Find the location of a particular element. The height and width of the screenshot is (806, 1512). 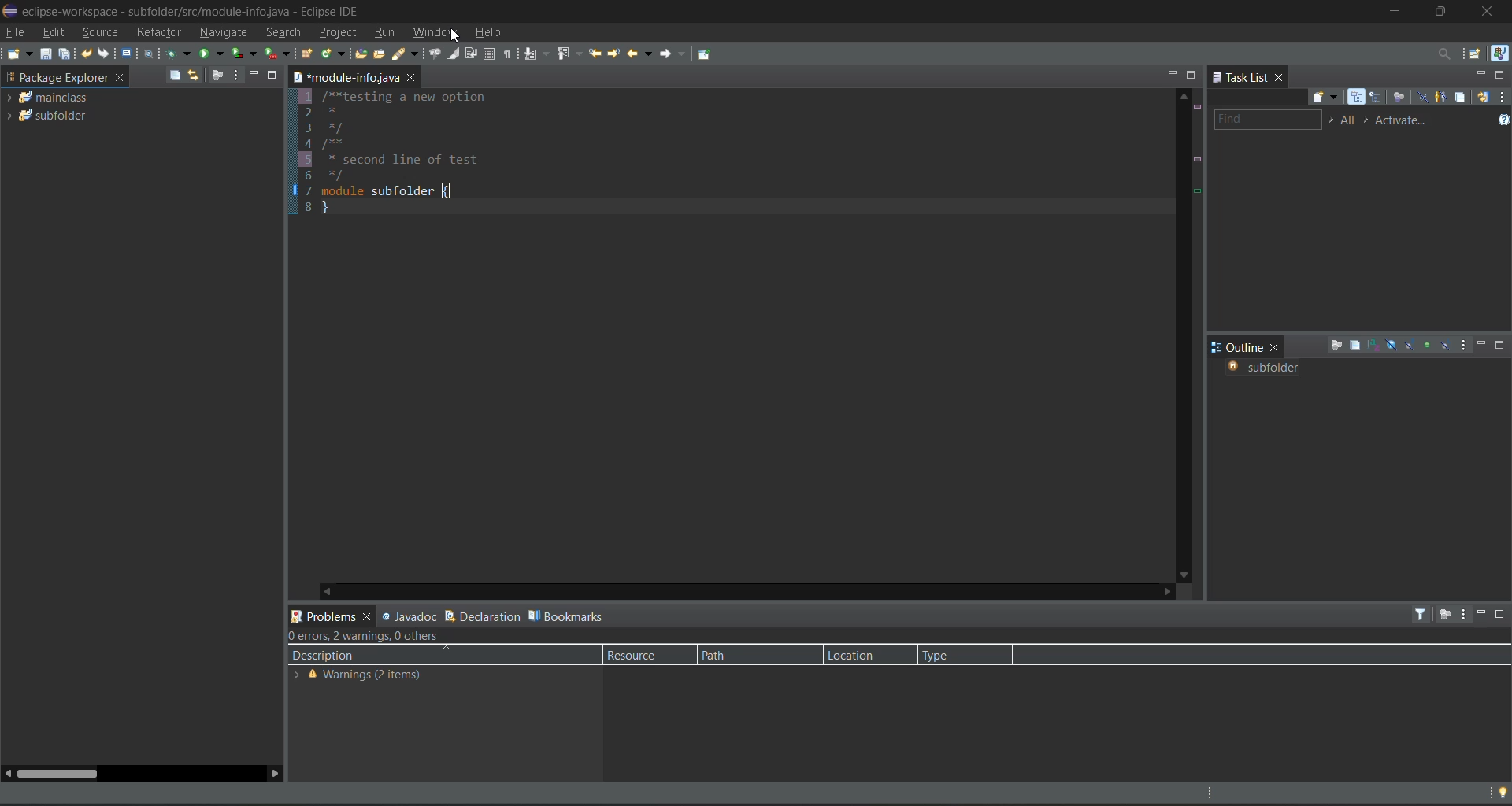

view menu is located at coordinates (238, 75).